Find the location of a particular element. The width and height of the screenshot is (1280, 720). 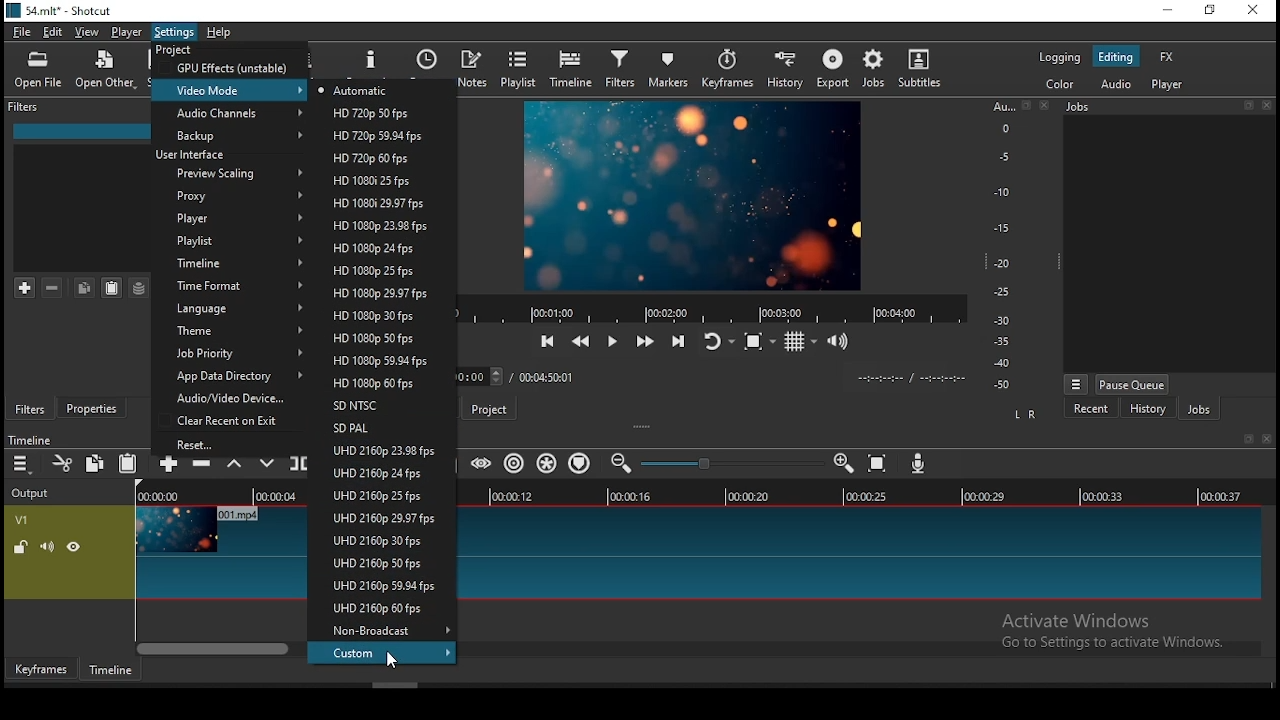

player is located at coordinates (128, 33).